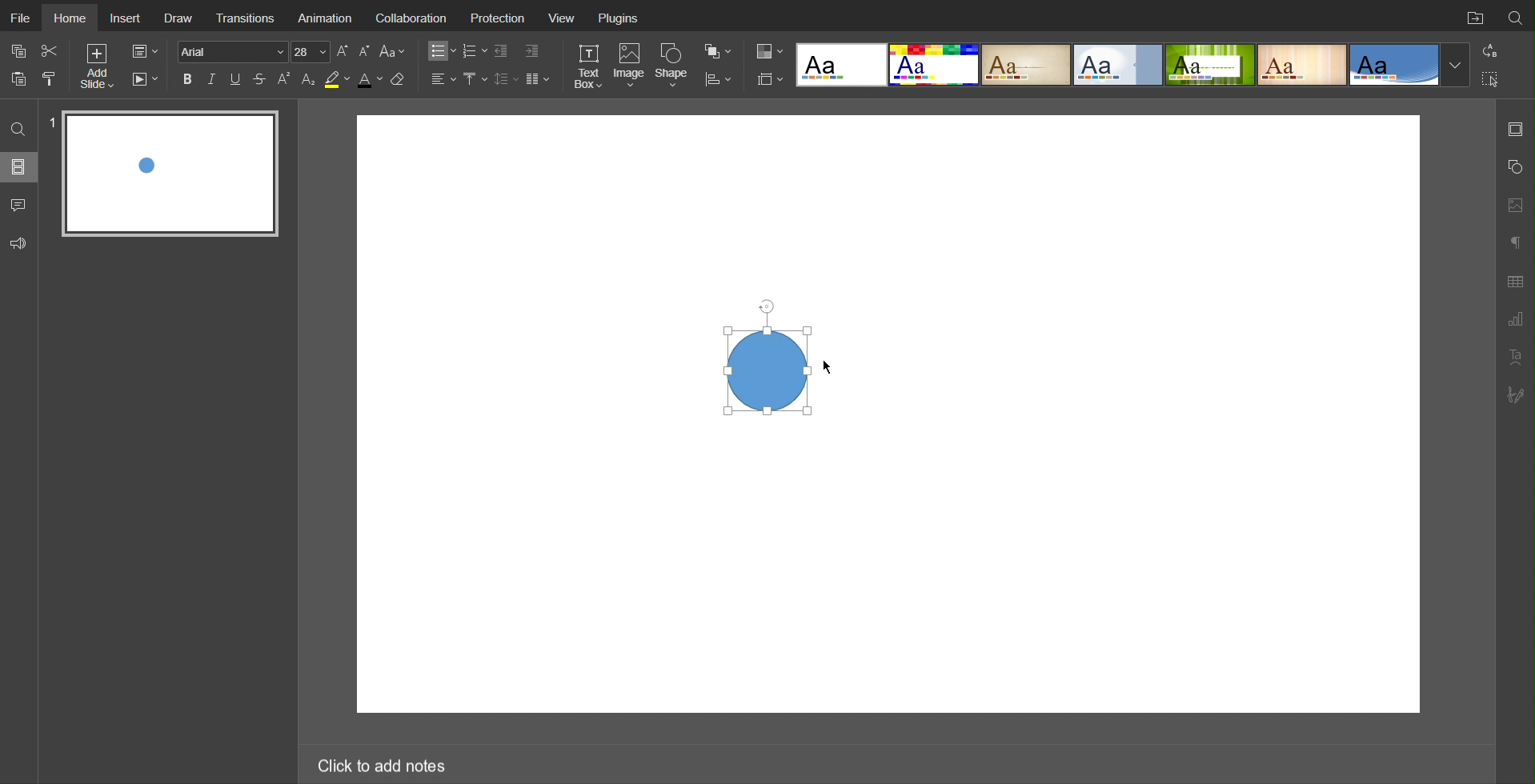 Image resolution: width=1535 pixels, height=784 pixels. Describe the element at coordinates (1515, 320) in the screenshot. I see `Paragraph Settings` at that location.